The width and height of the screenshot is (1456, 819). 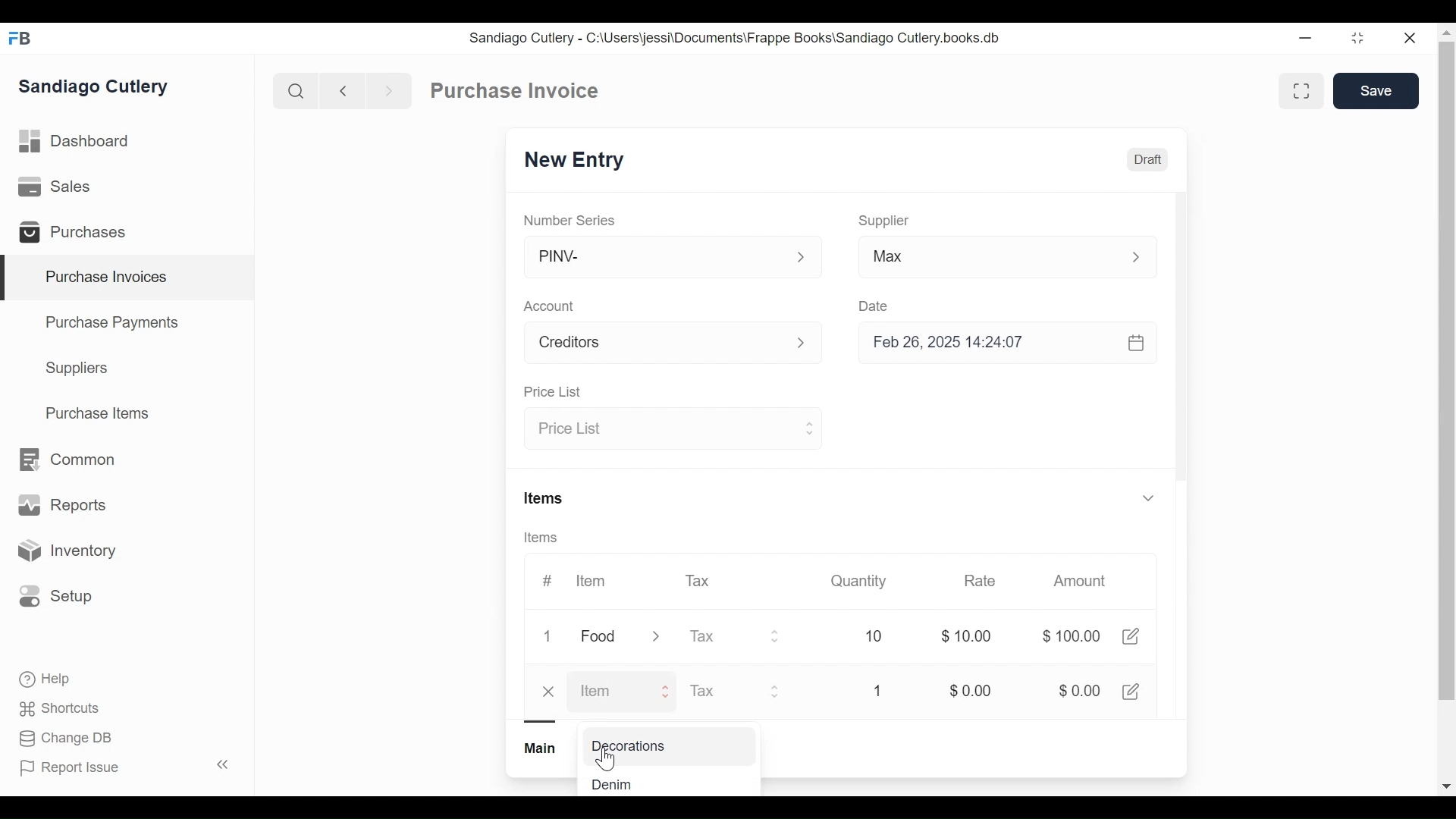 I want to click on Price List, so click(x=657, y=430).